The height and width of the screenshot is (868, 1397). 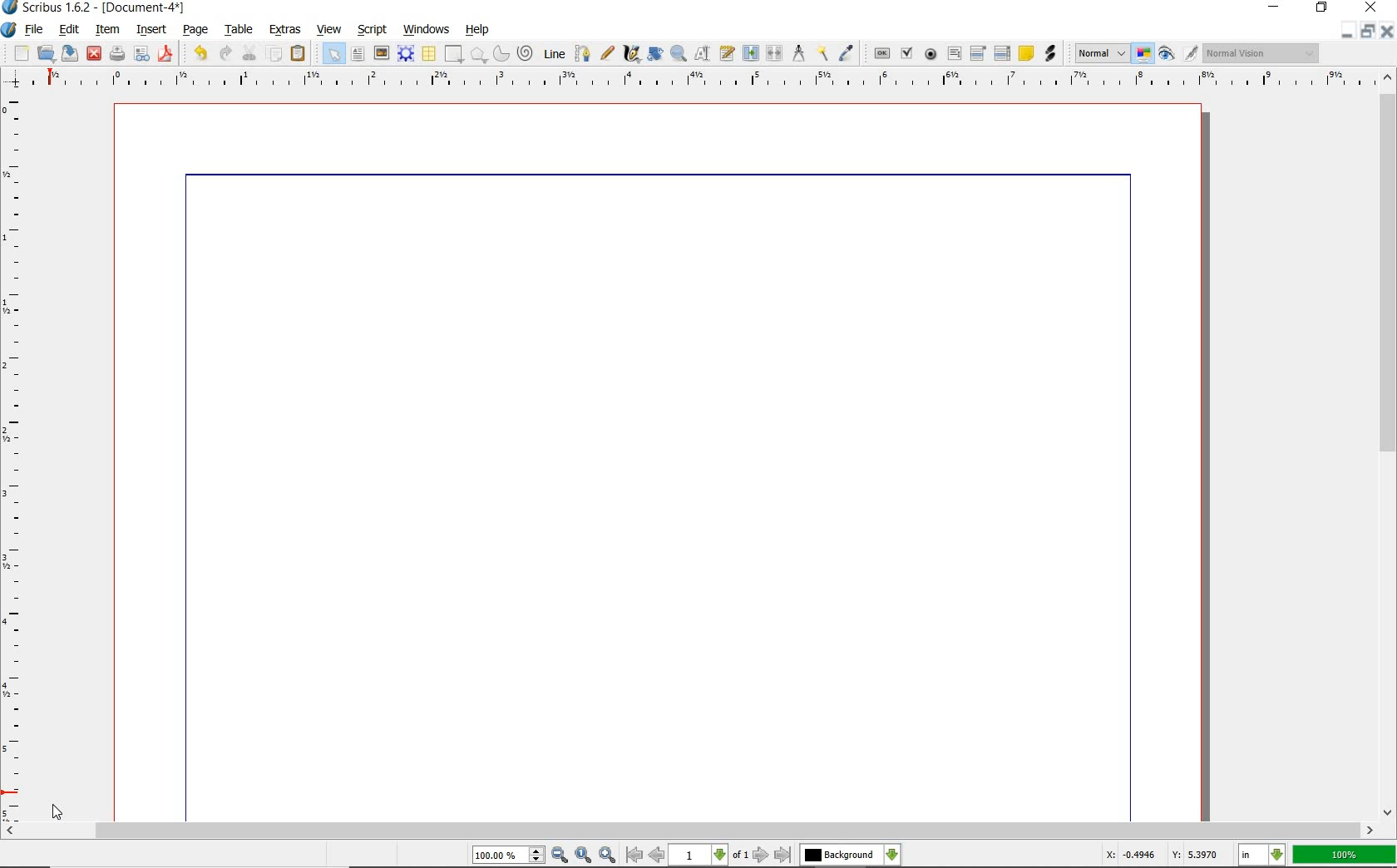 I want to click on paste, so click(x=299, y=54).